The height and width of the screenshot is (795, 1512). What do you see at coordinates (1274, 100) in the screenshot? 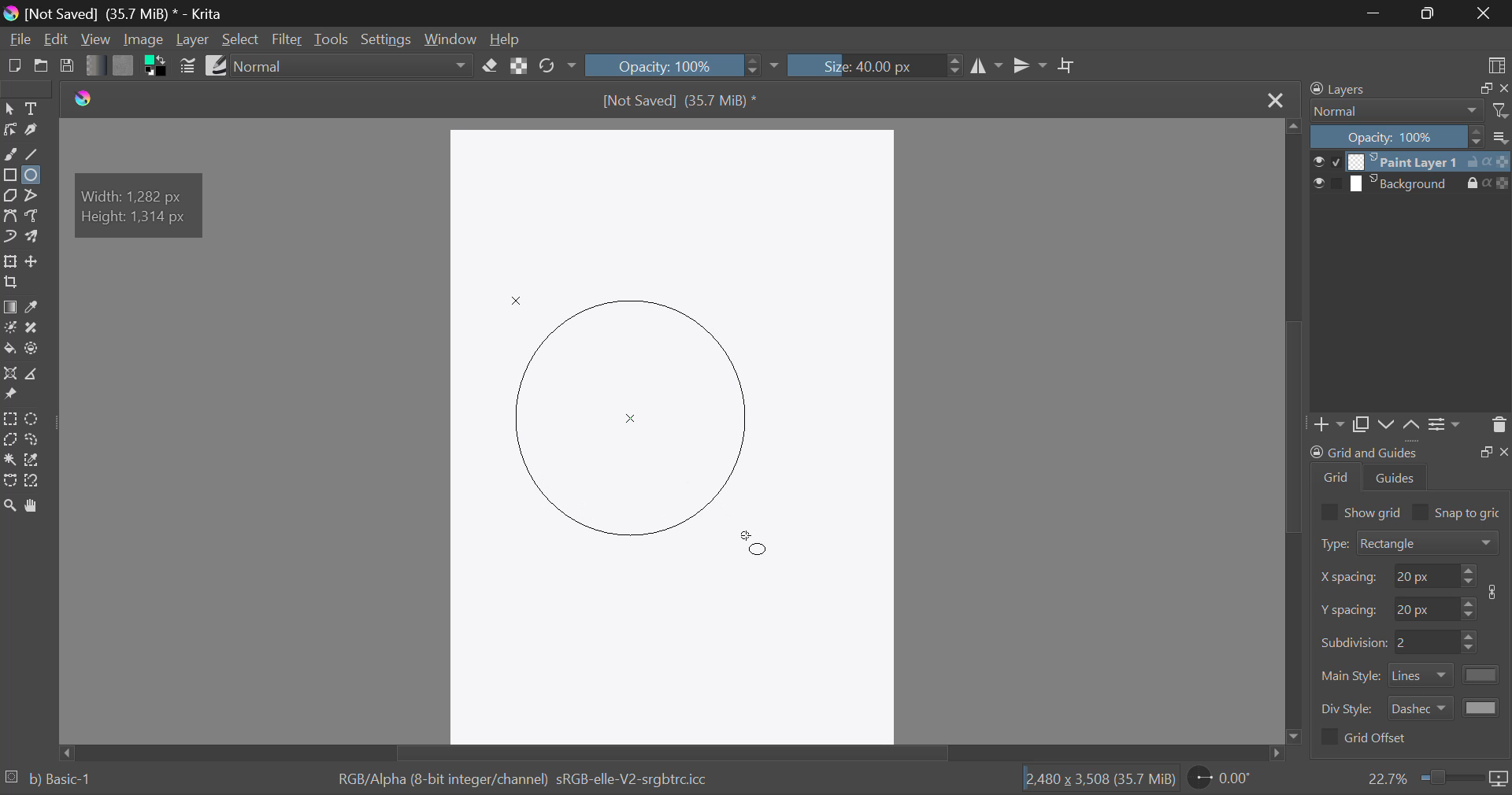
I see `Close` at bounding box center [1274, 100].